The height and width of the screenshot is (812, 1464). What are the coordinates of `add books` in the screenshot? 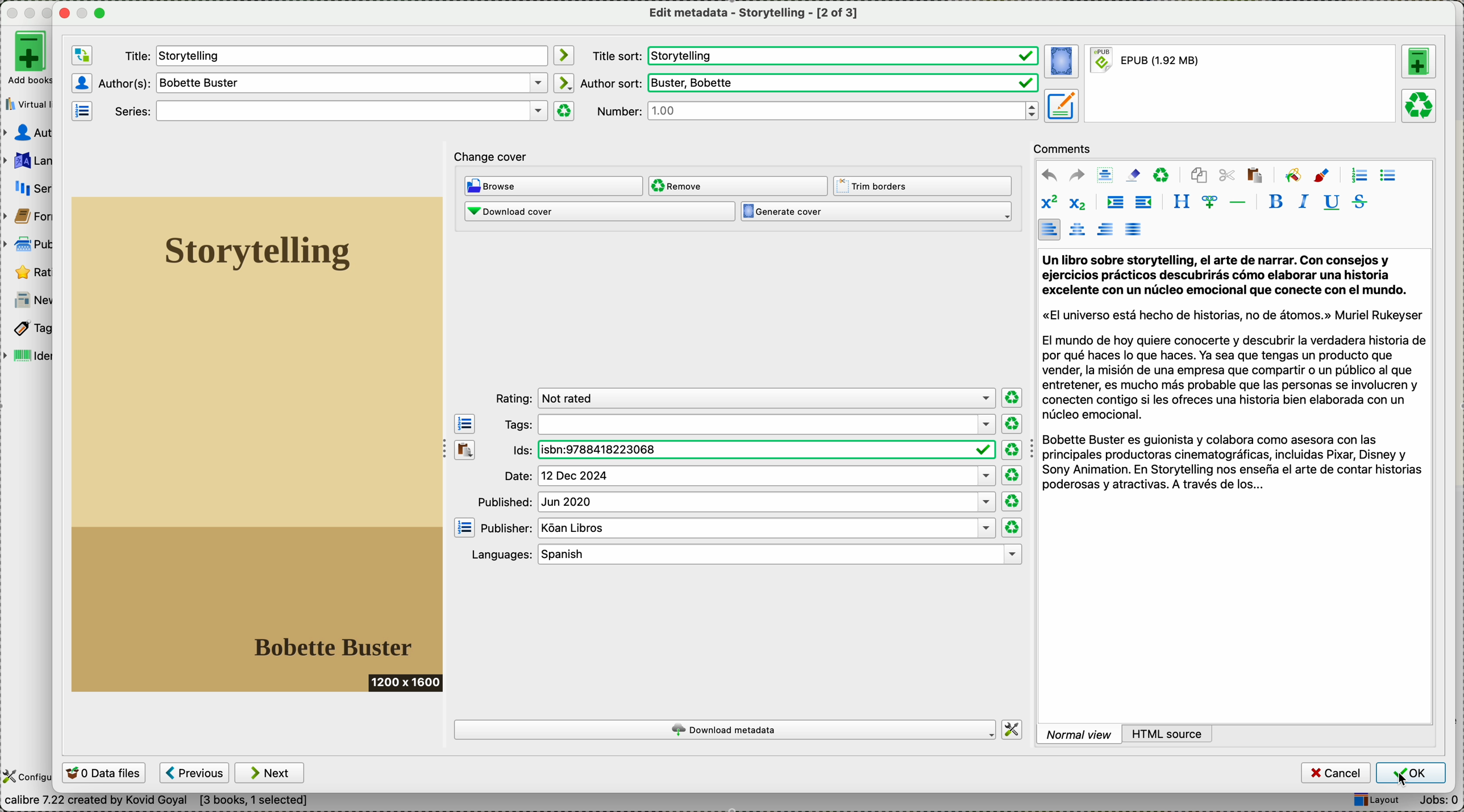 It's located at (31, 60).